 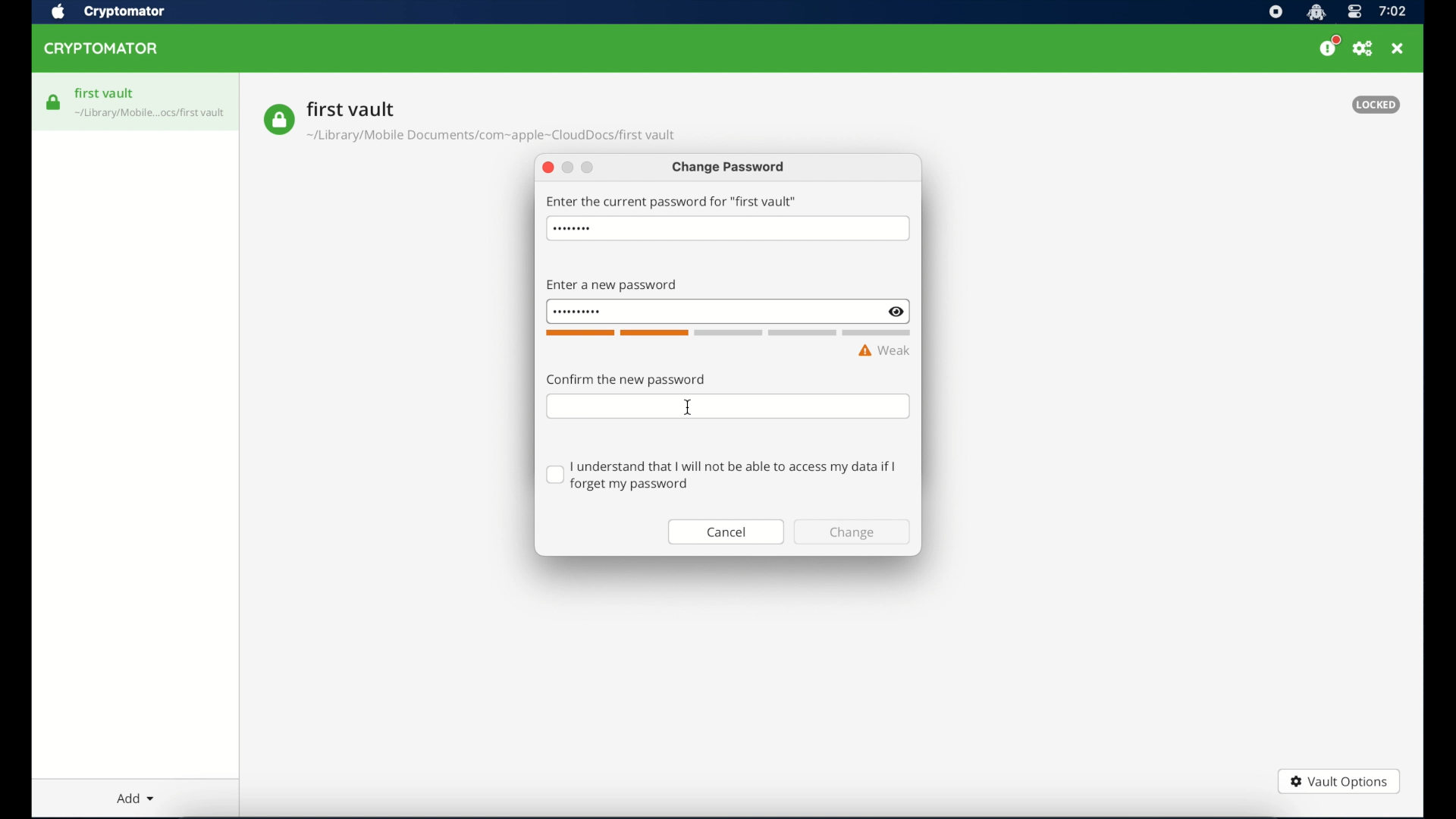 I want to click on close, so click(x=1398, y=49).